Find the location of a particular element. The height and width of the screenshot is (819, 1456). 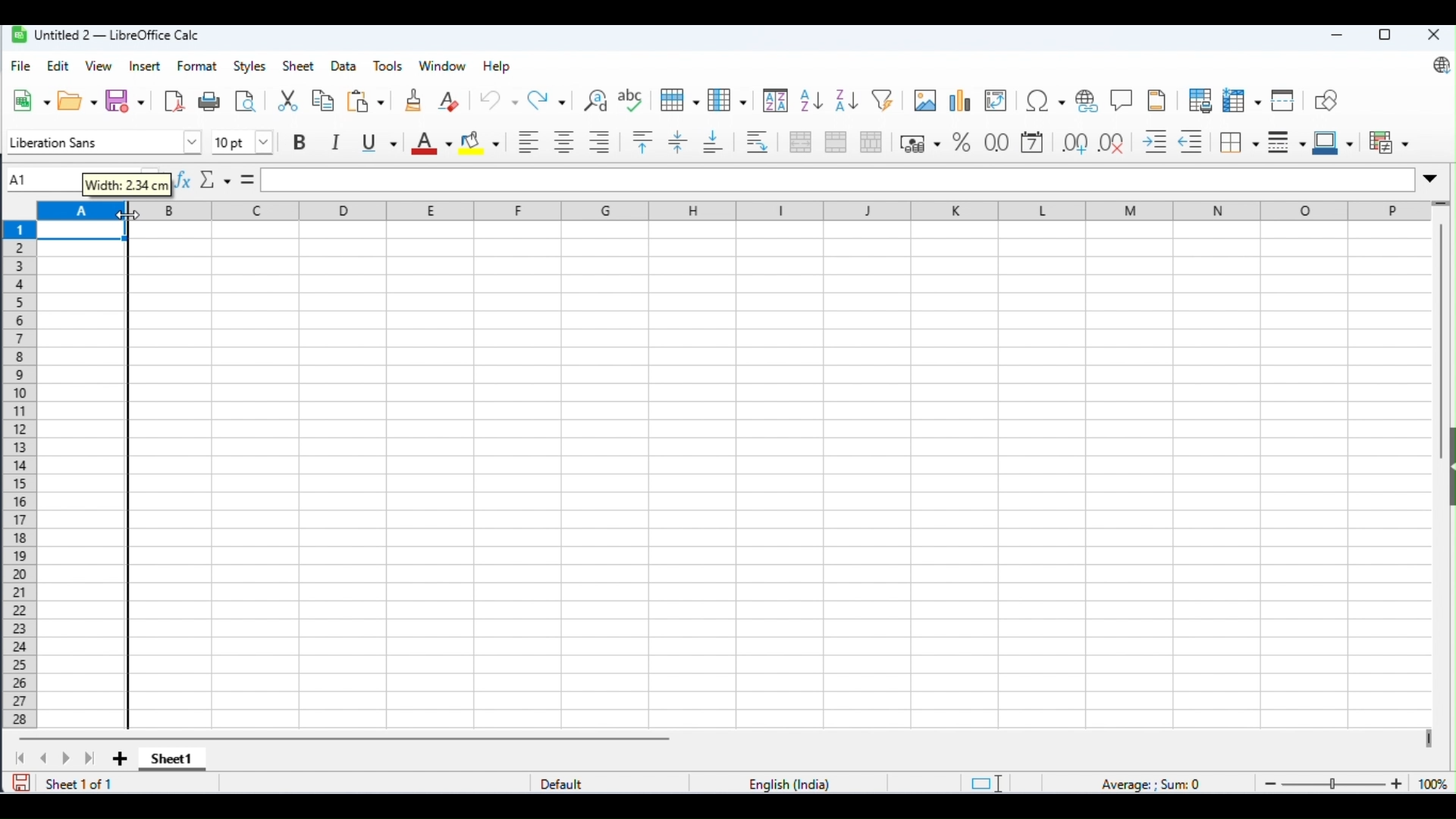

unmerge cells is located at coordinates (872, 141).